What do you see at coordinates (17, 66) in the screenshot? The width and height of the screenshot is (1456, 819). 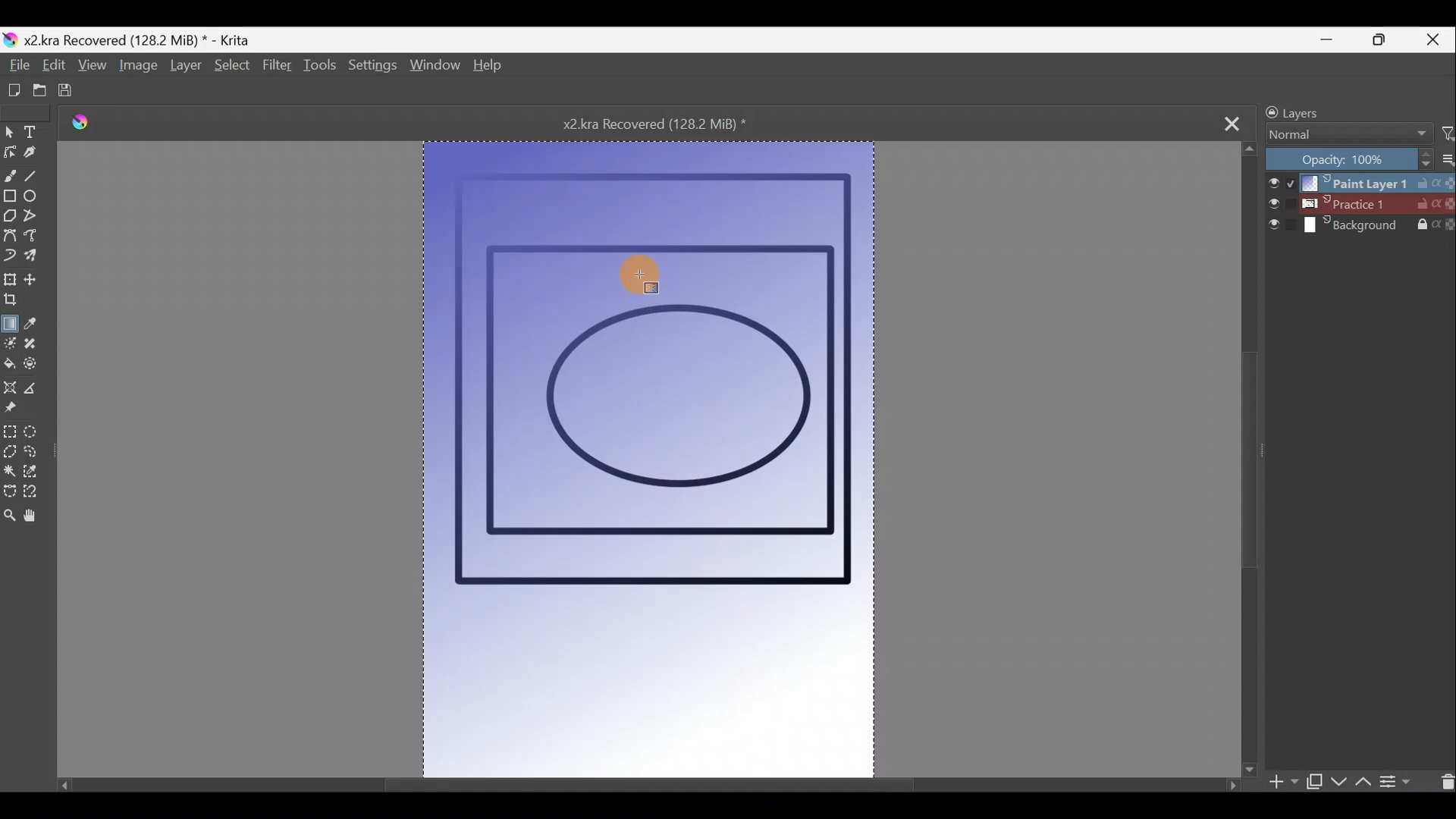 I see `File` at bounding box center [17, 66].